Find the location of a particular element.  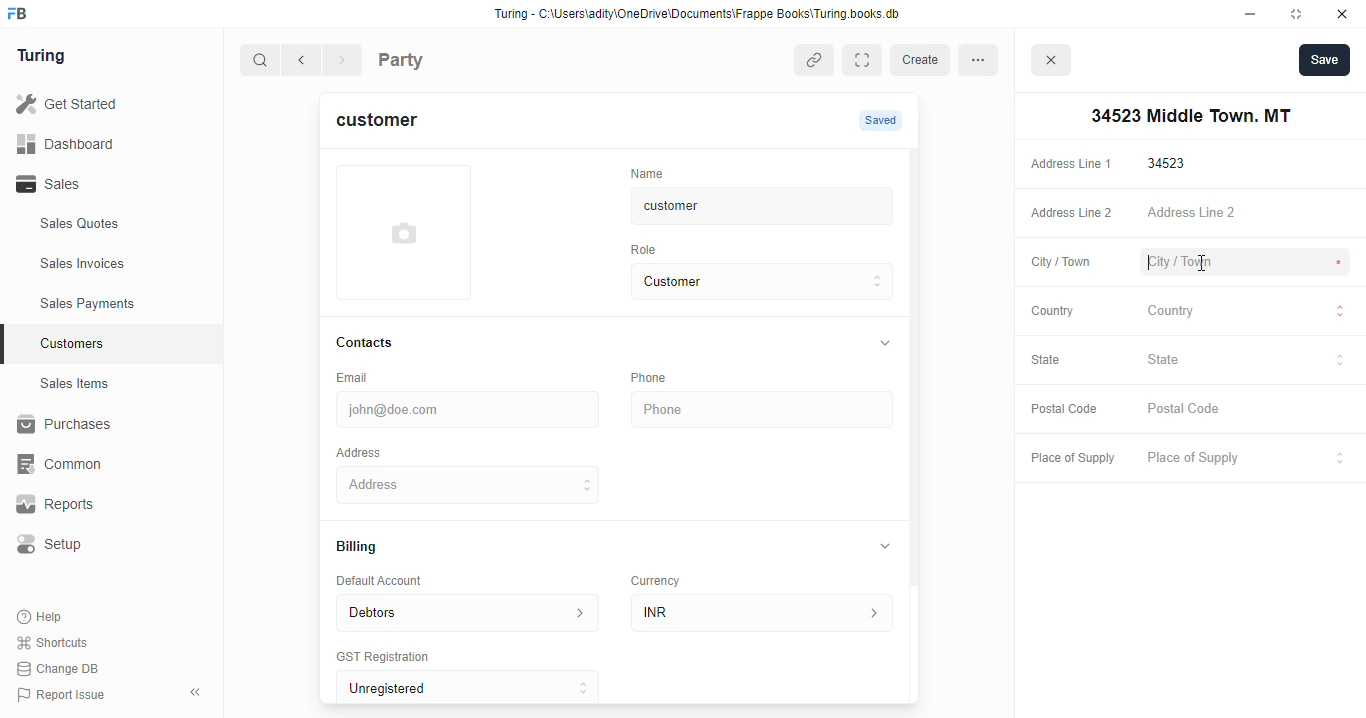

Reports is located at coordinates (91, 505).